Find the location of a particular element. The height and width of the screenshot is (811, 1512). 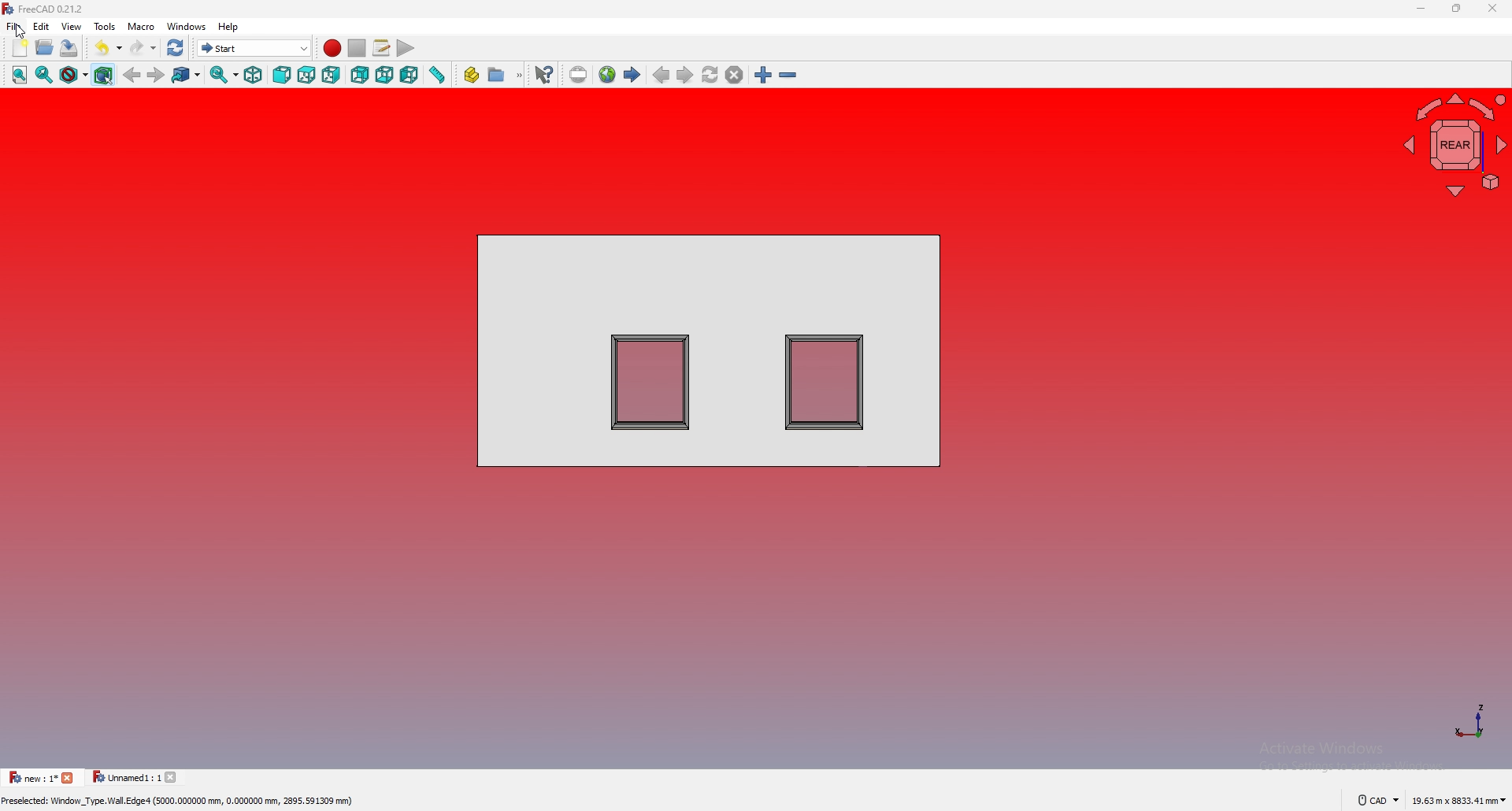

execute macro is located at coordinates (404, 47).